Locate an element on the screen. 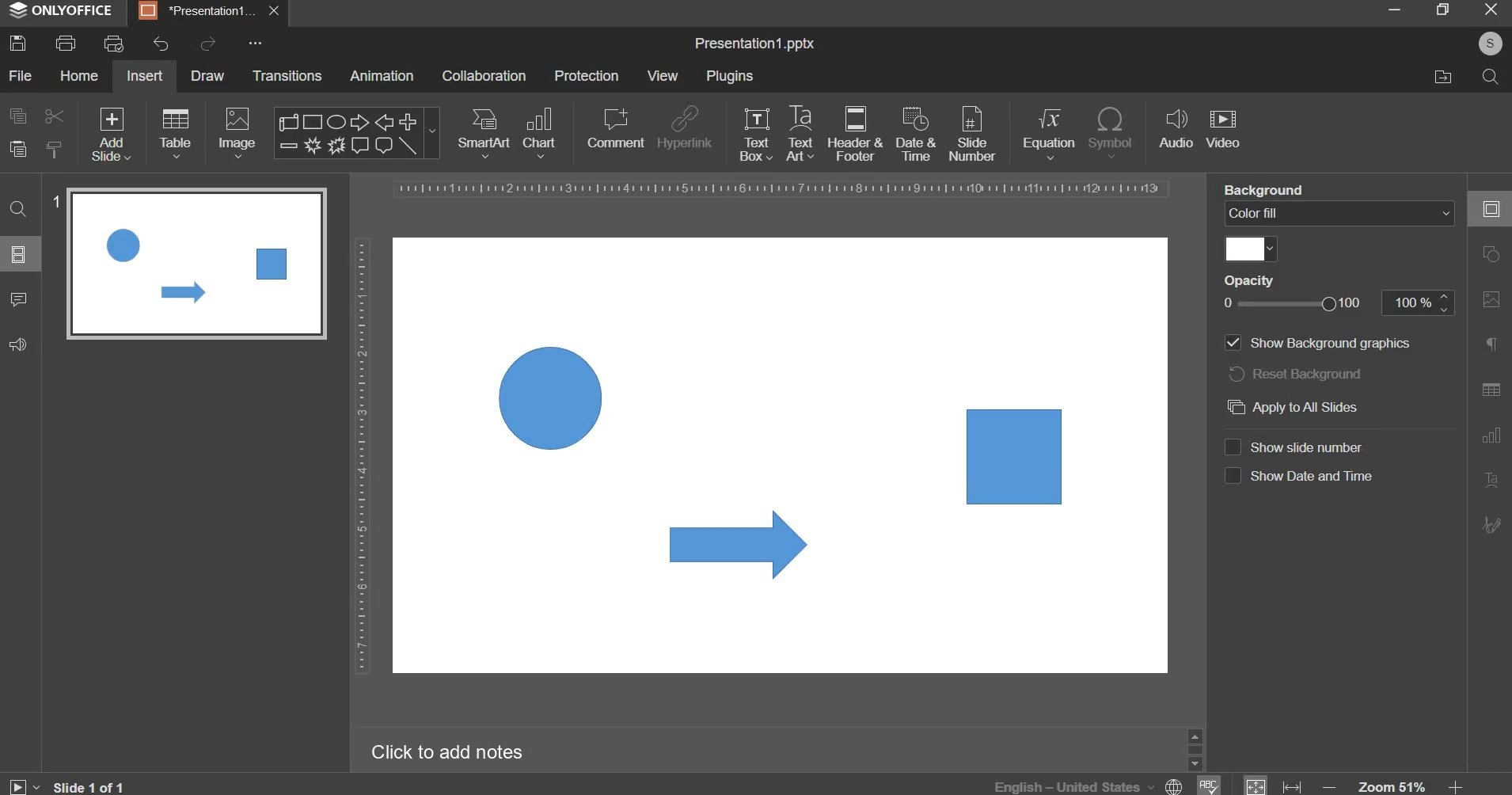  insert is located at coordinates (145, 75).